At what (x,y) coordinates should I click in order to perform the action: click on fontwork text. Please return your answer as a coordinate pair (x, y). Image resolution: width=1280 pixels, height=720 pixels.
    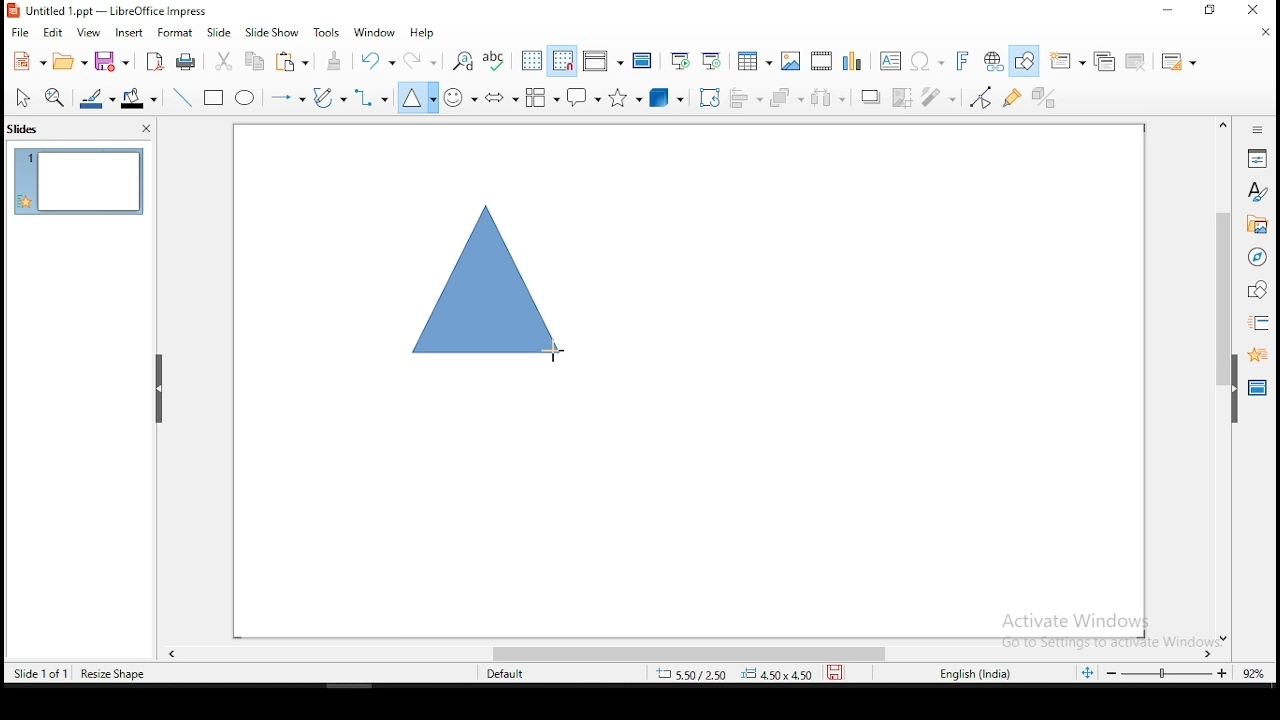
    Looking at the image, I should click on (956, 61).